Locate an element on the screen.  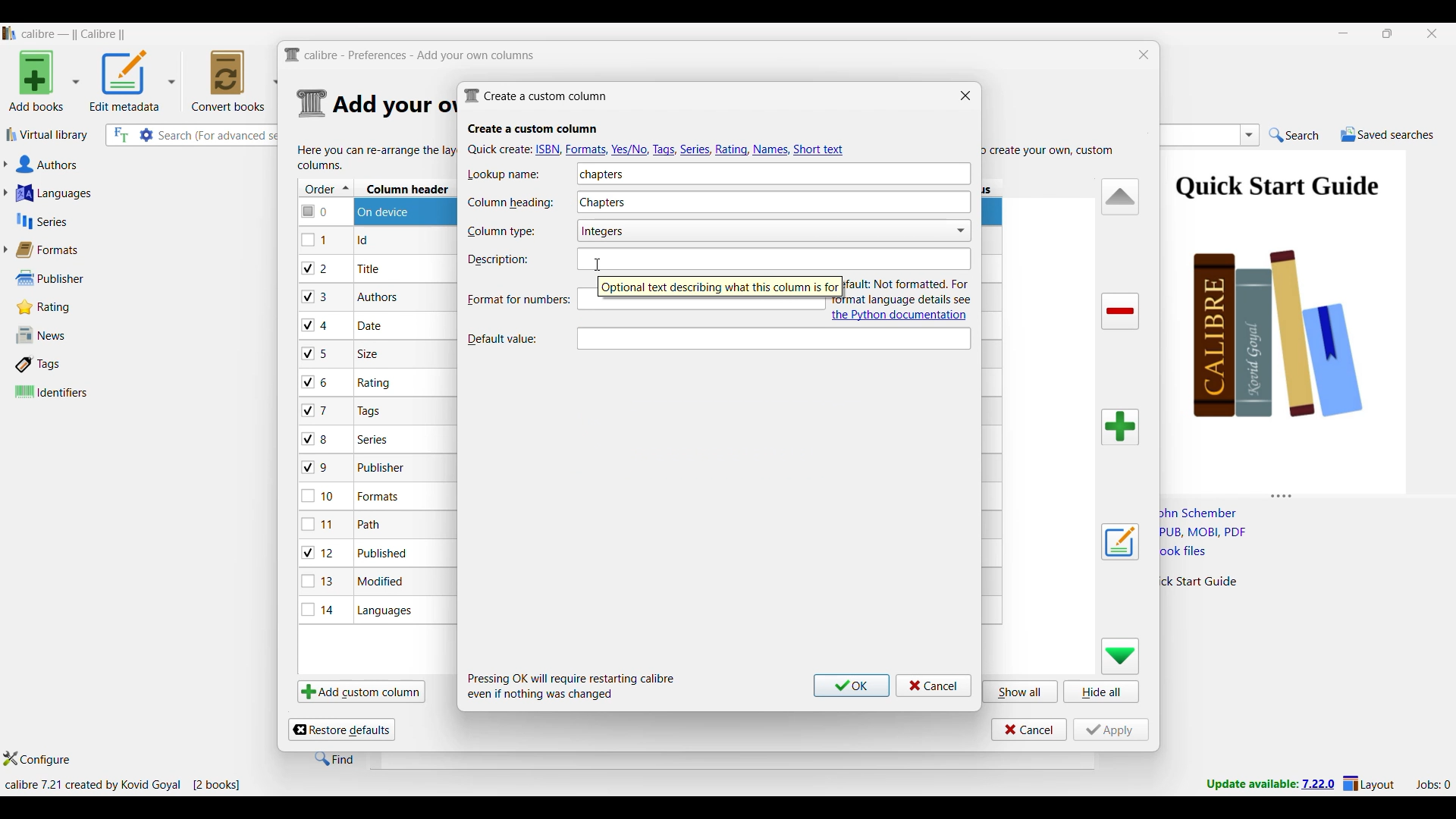
Column type options is located at coordinates (717, 232).